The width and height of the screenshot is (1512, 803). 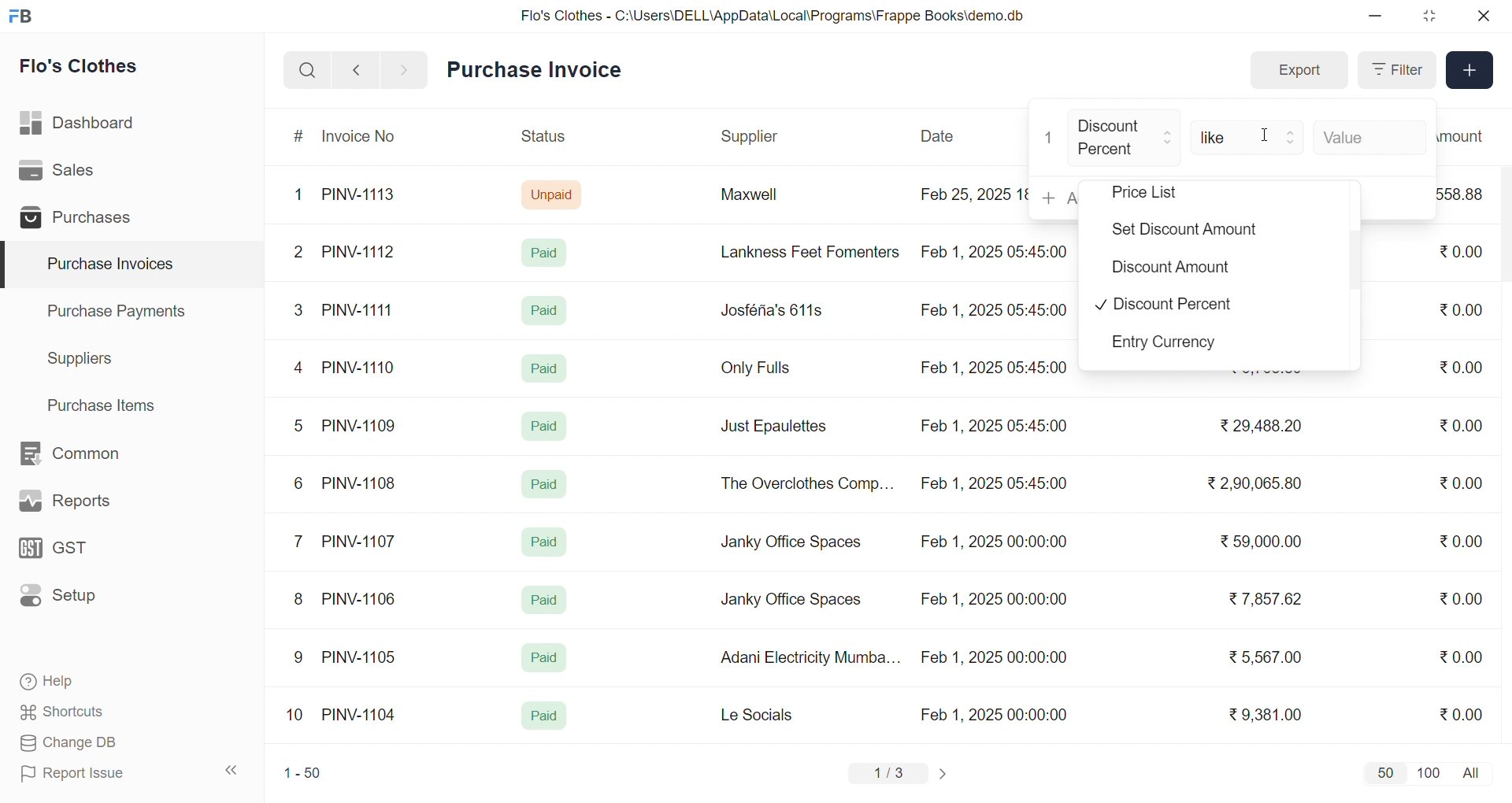 I want to click on close, so click(x=1482, y=16).